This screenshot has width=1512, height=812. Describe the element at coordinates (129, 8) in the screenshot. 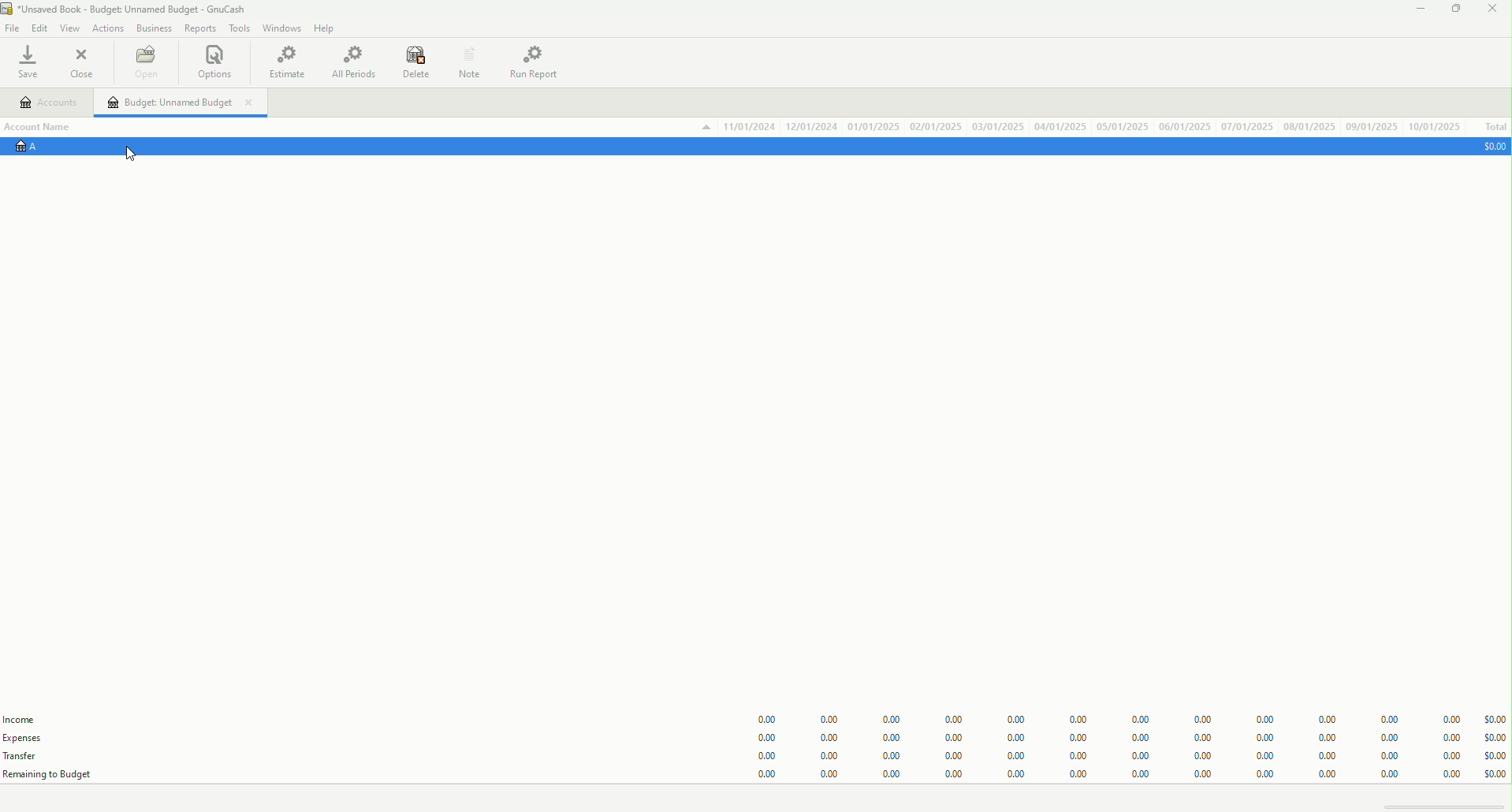

I see `Unsaved Budget - GnuCash` at that location.